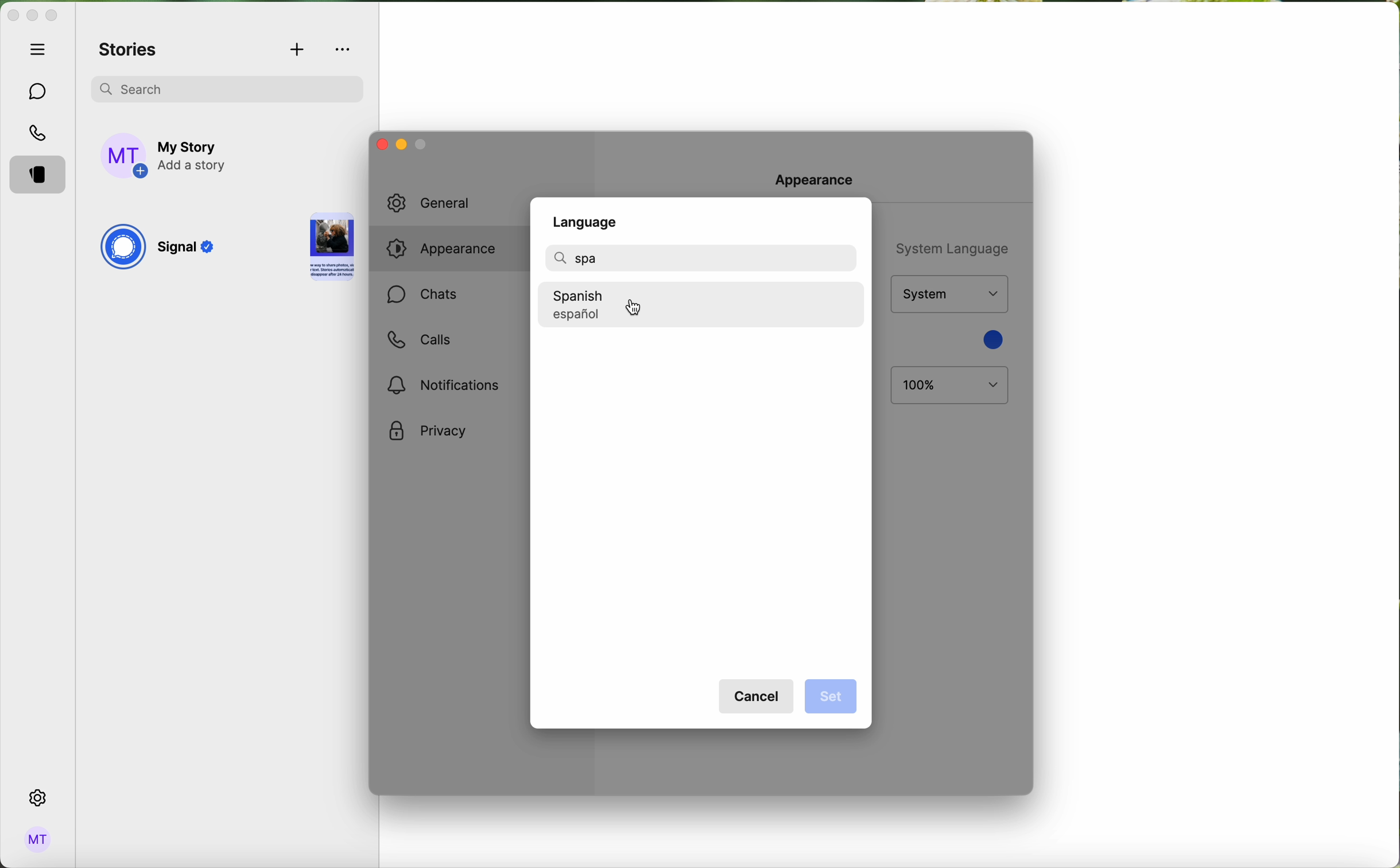 The width and height of the screenshot is (1400, 868). What do you see at coordinates (443, 203) in the screenshot?
I see `general` at bounding box center [443, 203].